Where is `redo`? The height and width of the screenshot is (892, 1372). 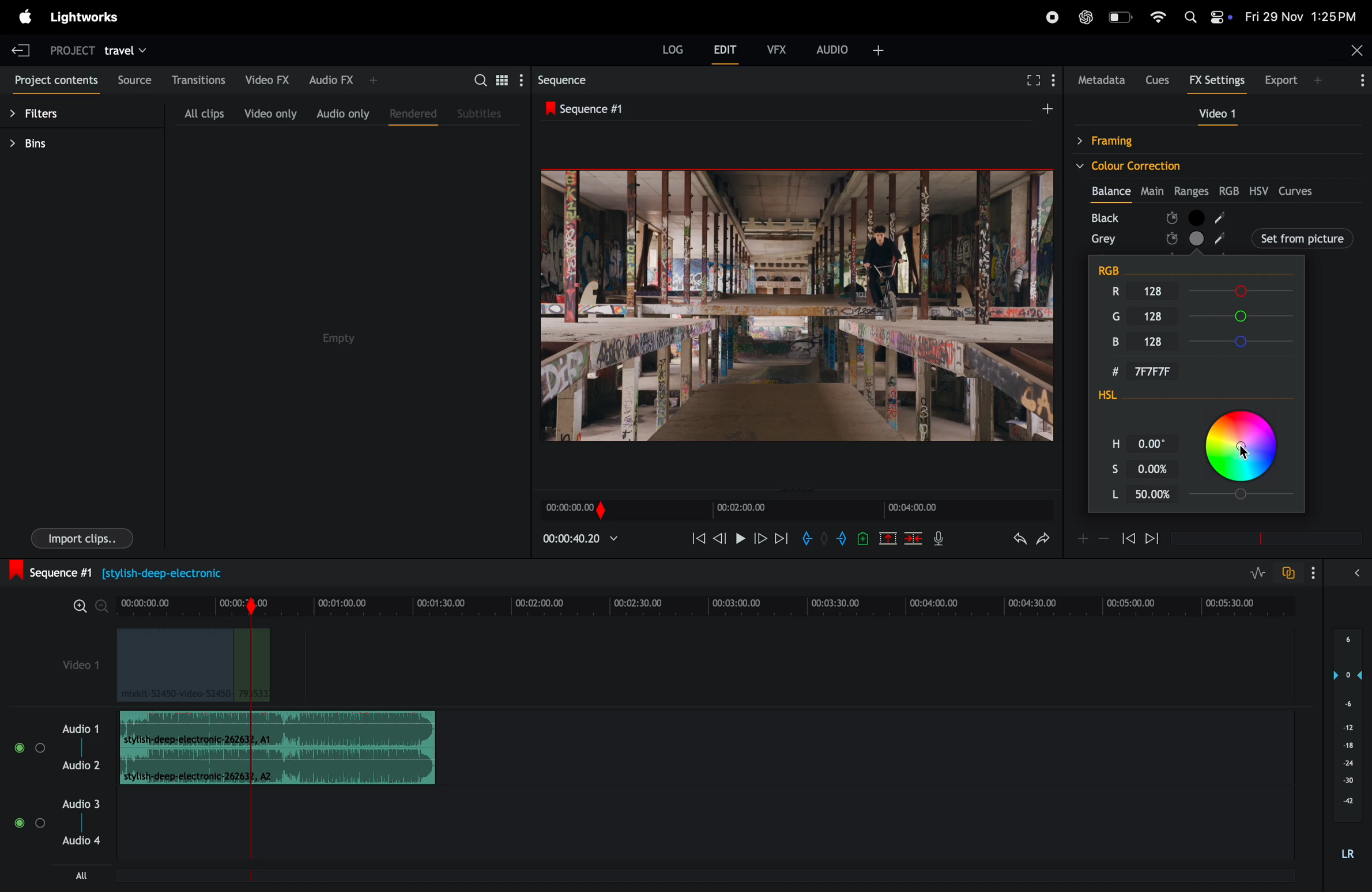 redo is located at coordinates (1046, 538).